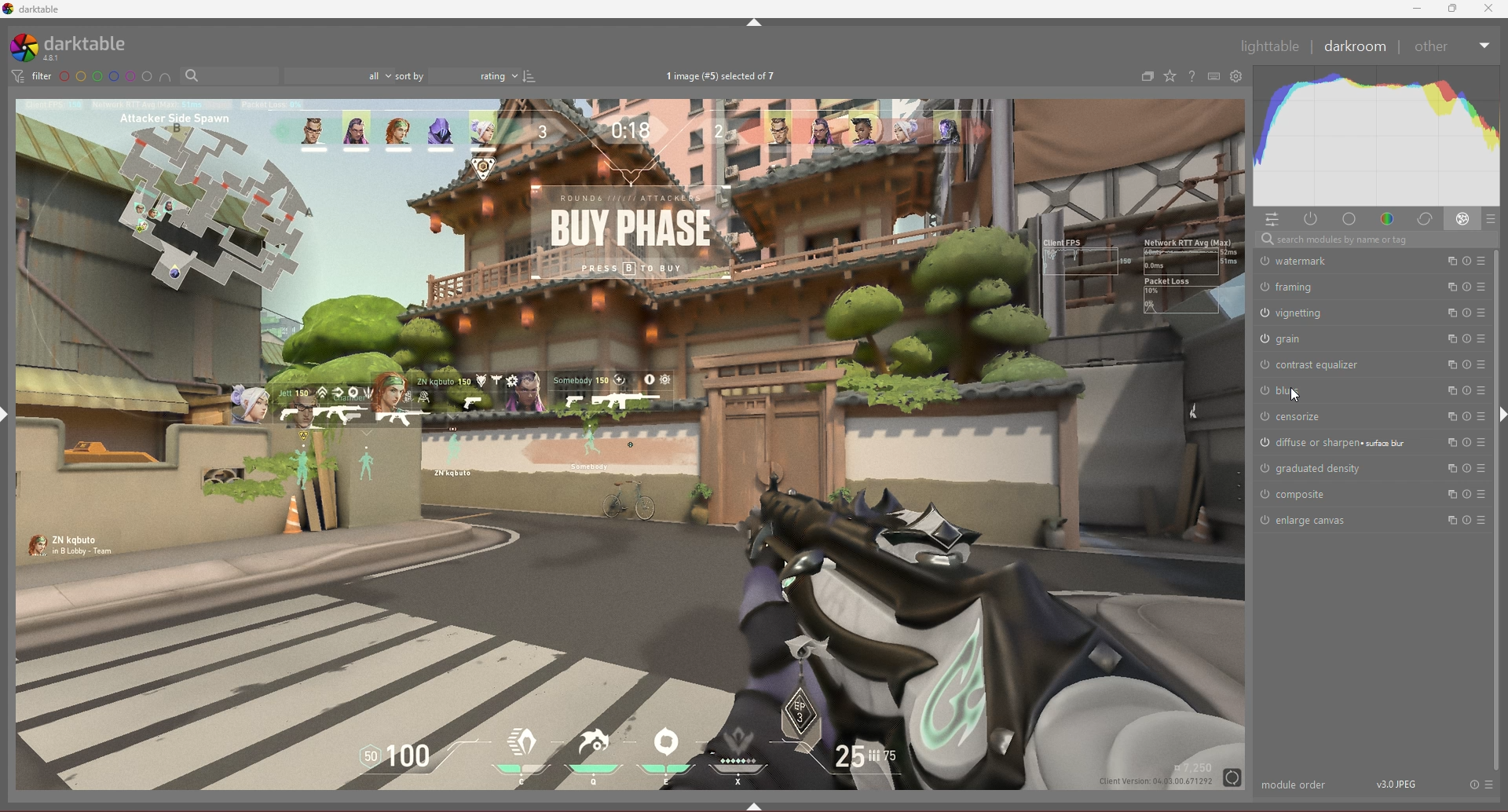 This screenshot has width=1508, height=812. Describe the element at coordinates (39, 9) in the screenshot. I see `darktable` at that location.